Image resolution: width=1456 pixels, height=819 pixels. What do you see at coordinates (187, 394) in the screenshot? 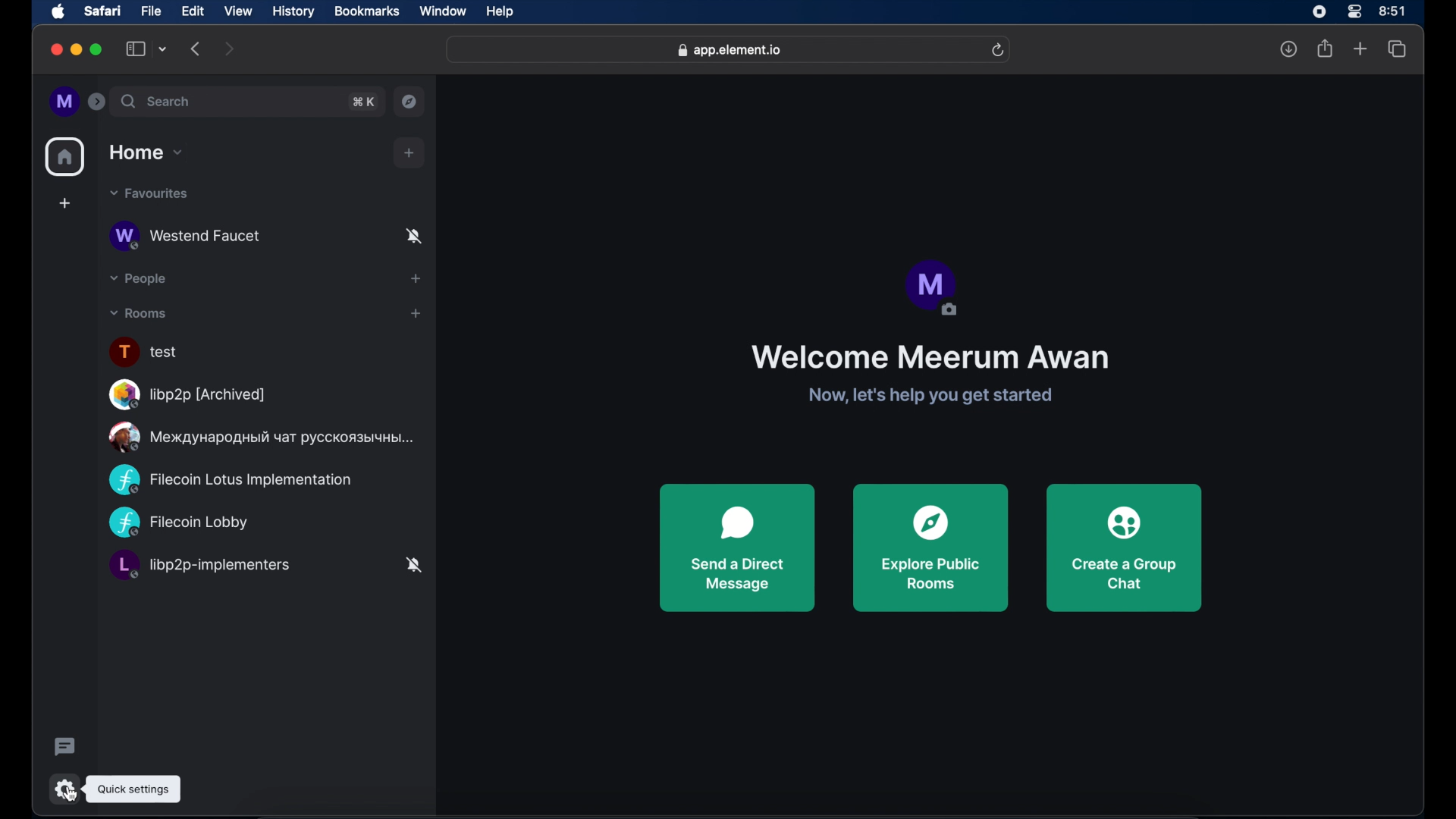
I see `libp2p [Archived]` at bounding box center [187, 394].